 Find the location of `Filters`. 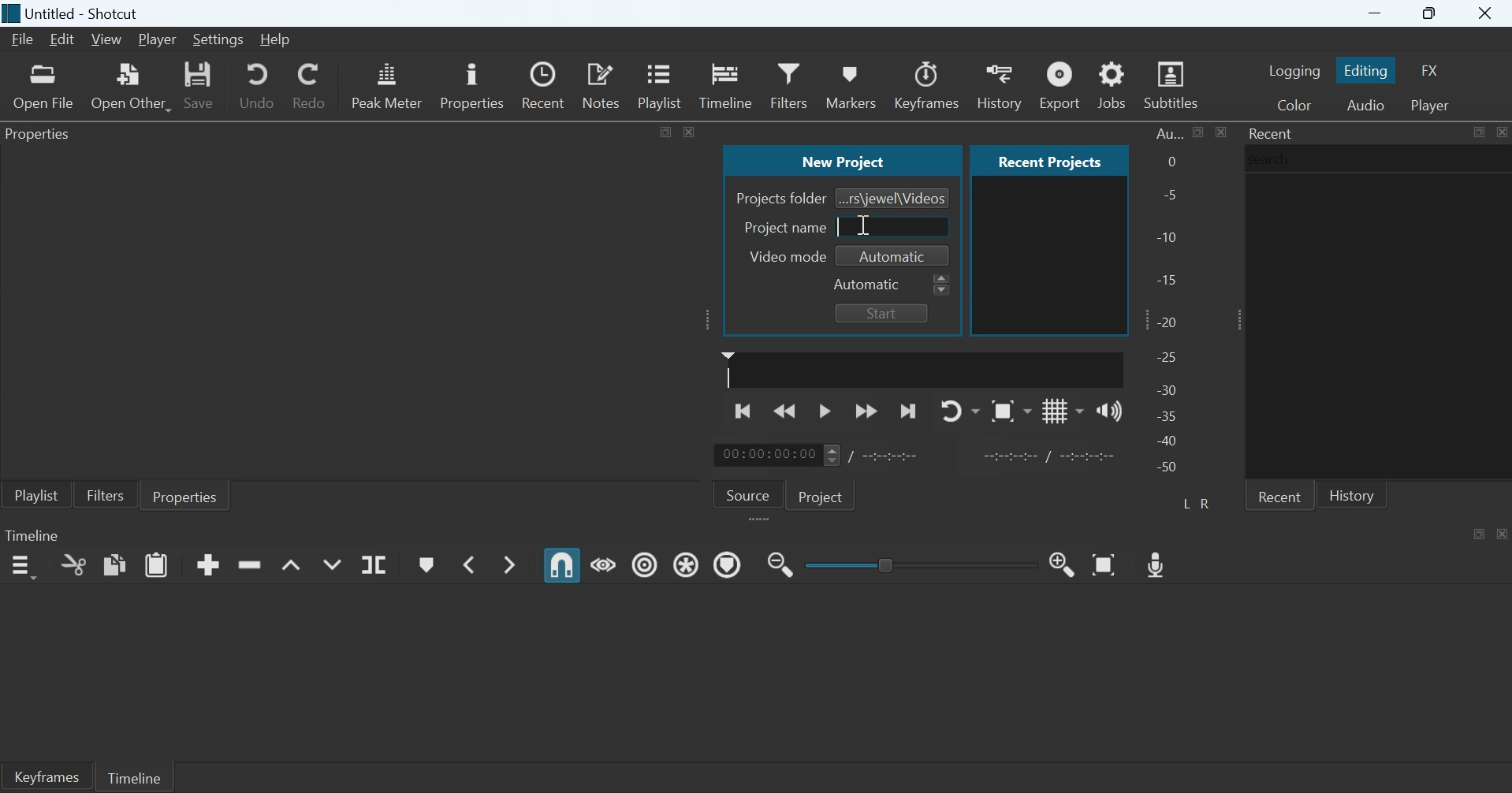

Filters is located at coordinates (788, 84).